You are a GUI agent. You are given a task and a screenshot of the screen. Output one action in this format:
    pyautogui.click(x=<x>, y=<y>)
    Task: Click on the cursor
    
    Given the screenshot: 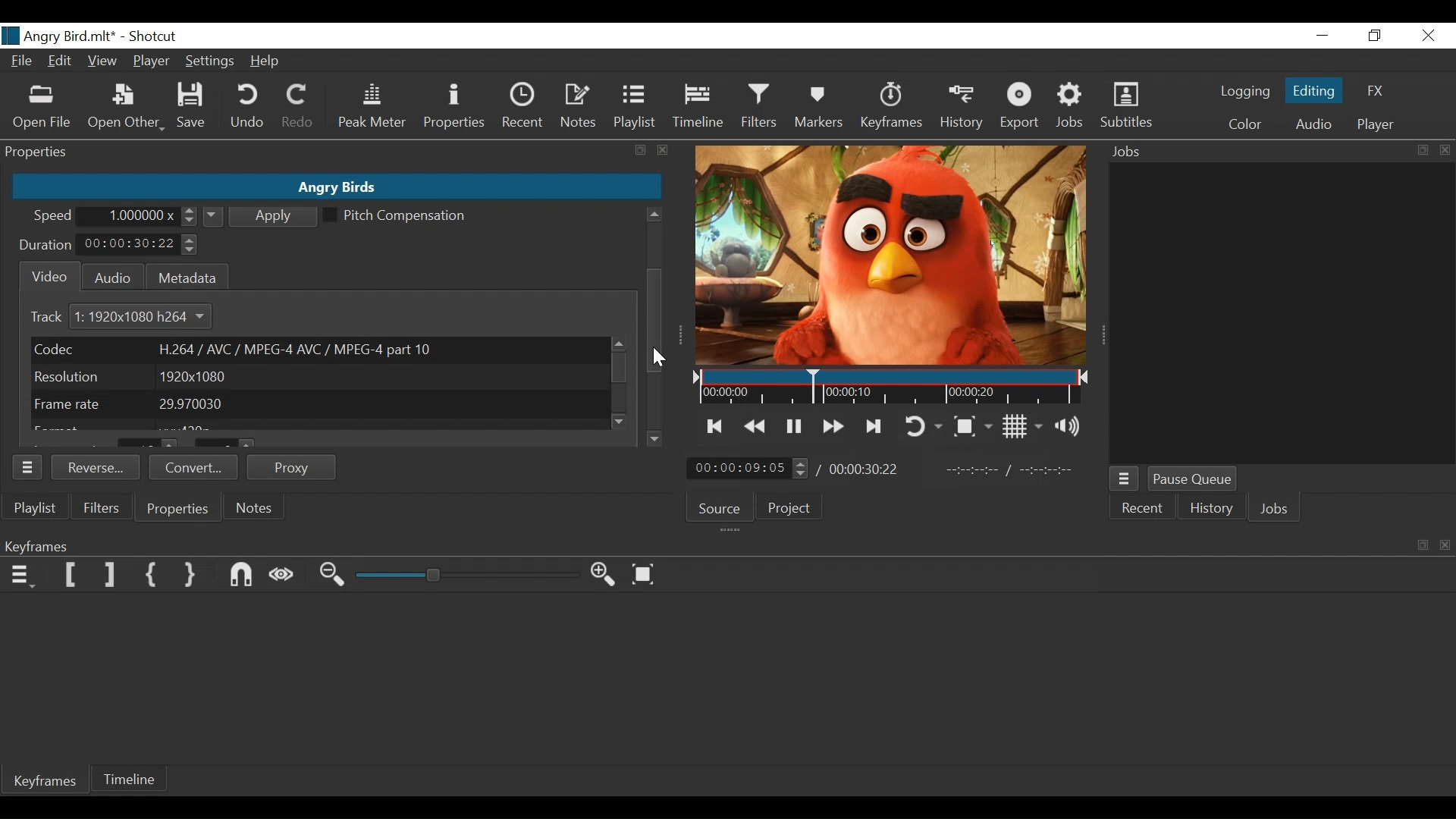 What is the action you would take?
    pyautogui.click(x=656, y=311)
    